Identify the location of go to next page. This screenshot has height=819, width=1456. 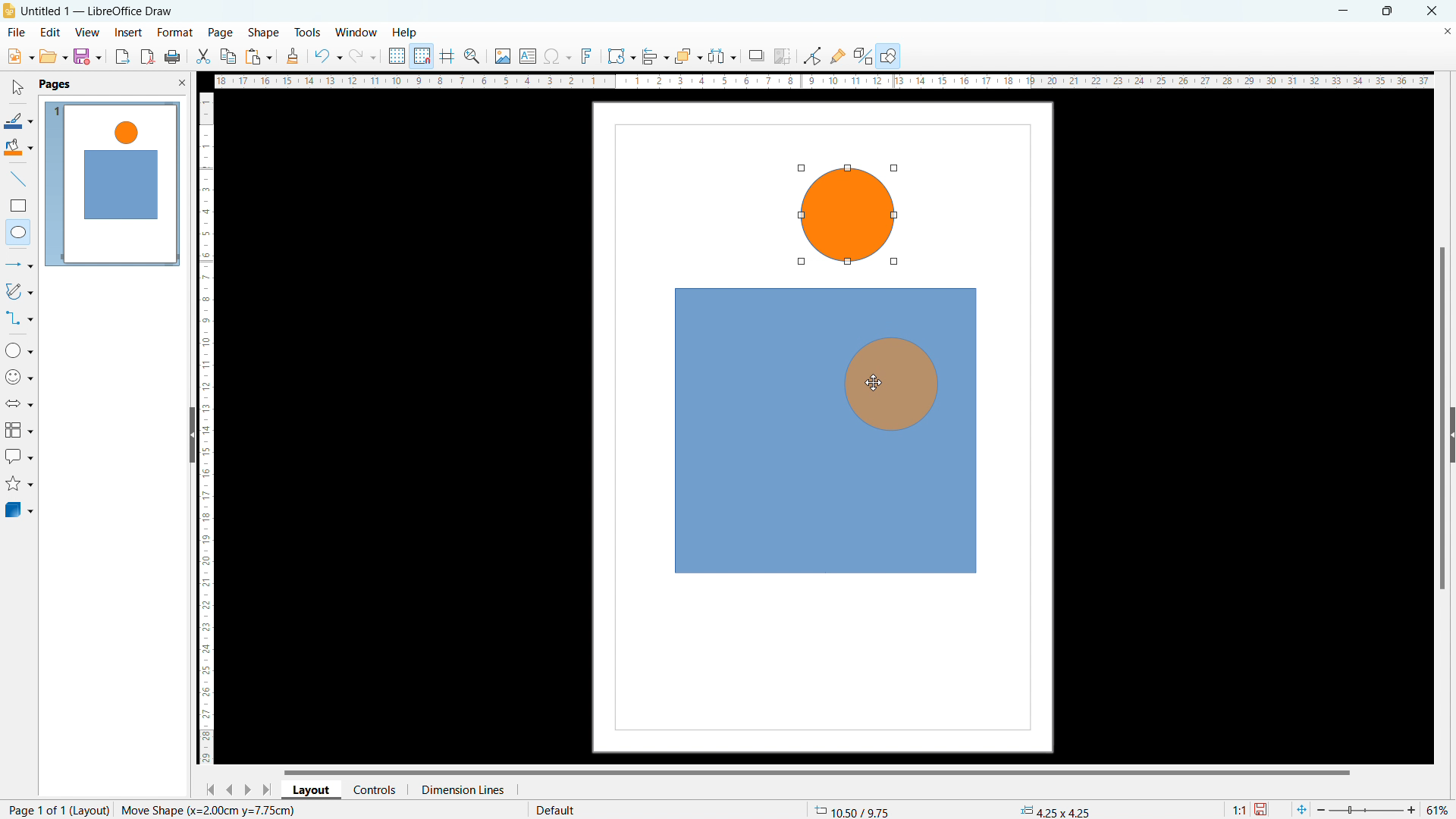
(247, 789).